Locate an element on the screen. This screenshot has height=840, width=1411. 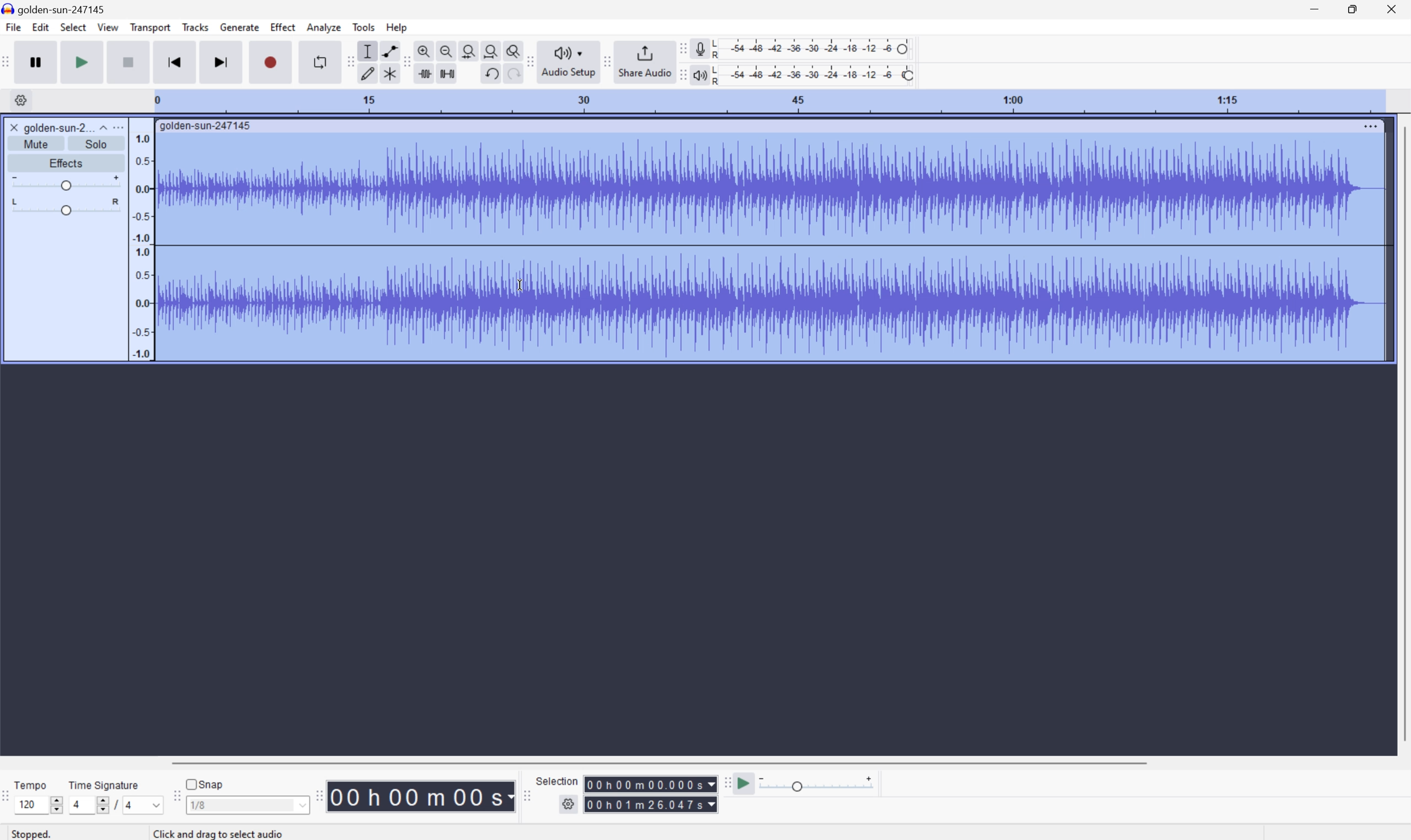
Audacity share audio toolbar is located at coordinates (608, 61).